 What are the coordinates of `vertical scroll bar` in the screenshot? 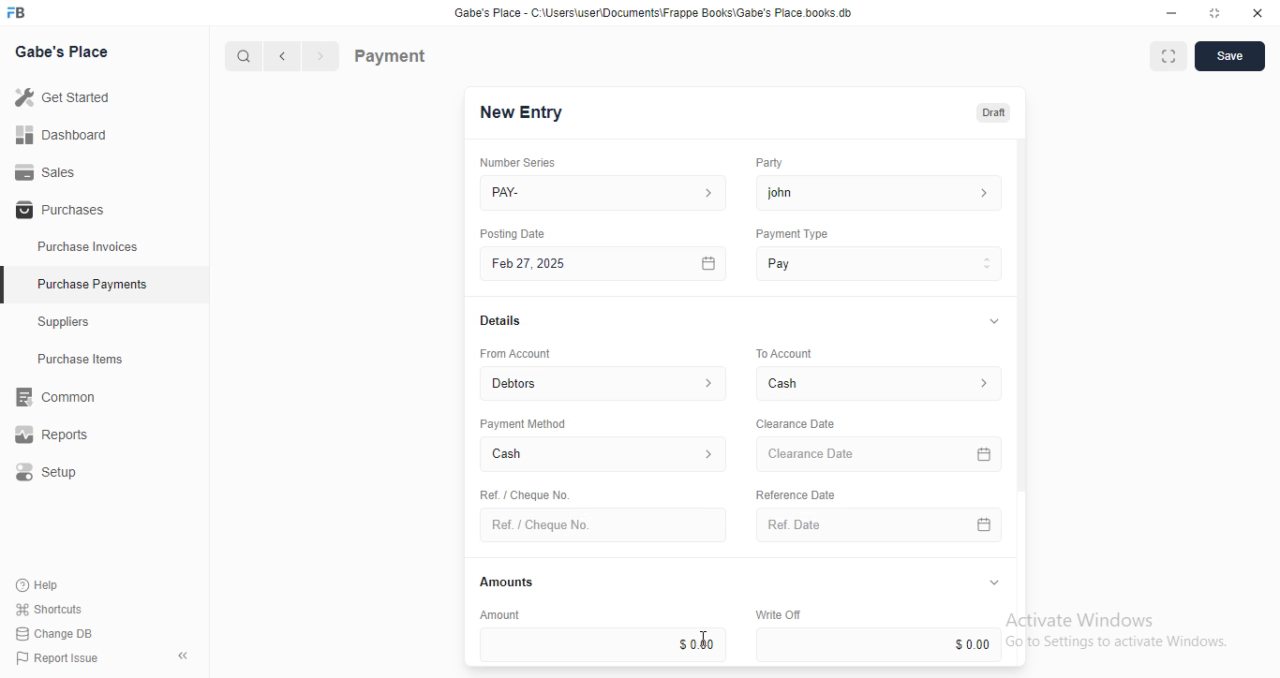 It's located at (1022, 403).